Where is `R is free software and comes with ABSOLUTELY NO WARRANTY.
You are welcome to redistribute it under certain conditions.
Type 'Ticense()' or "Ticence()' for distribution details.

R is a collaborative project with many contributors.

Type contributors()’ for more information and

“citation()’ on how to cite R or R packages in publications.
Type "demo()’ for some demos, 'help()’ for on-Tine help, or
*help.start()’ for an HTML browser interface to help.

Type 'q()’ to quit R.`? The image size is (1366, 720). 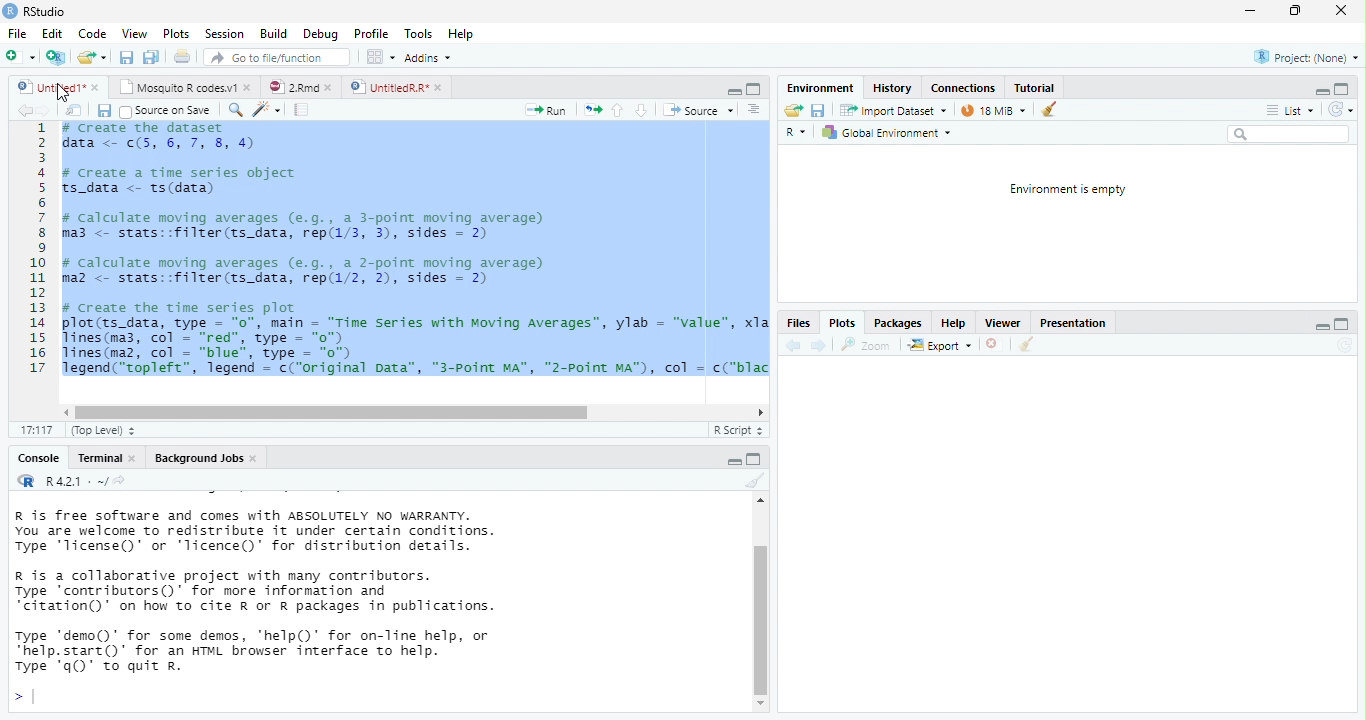 R is free software and comes with ABSOLUTELY NO WARRANTY.
You are welcome to redistribute it under certain conditions.
Type 'Ticense()' or "Ticence()' for distribution details.

R is a collaborative project with many contributors.

Type contributors()’ for more information and

“citation()’ on how to cite R or R packages in publications.
Type "demo()’ for some demos, 'help()’ for on-Tine help, or
*help.start()’ for an HTML browser interface to help.

Type 'q()’ to quit R. is located at coordinates (340, 591).